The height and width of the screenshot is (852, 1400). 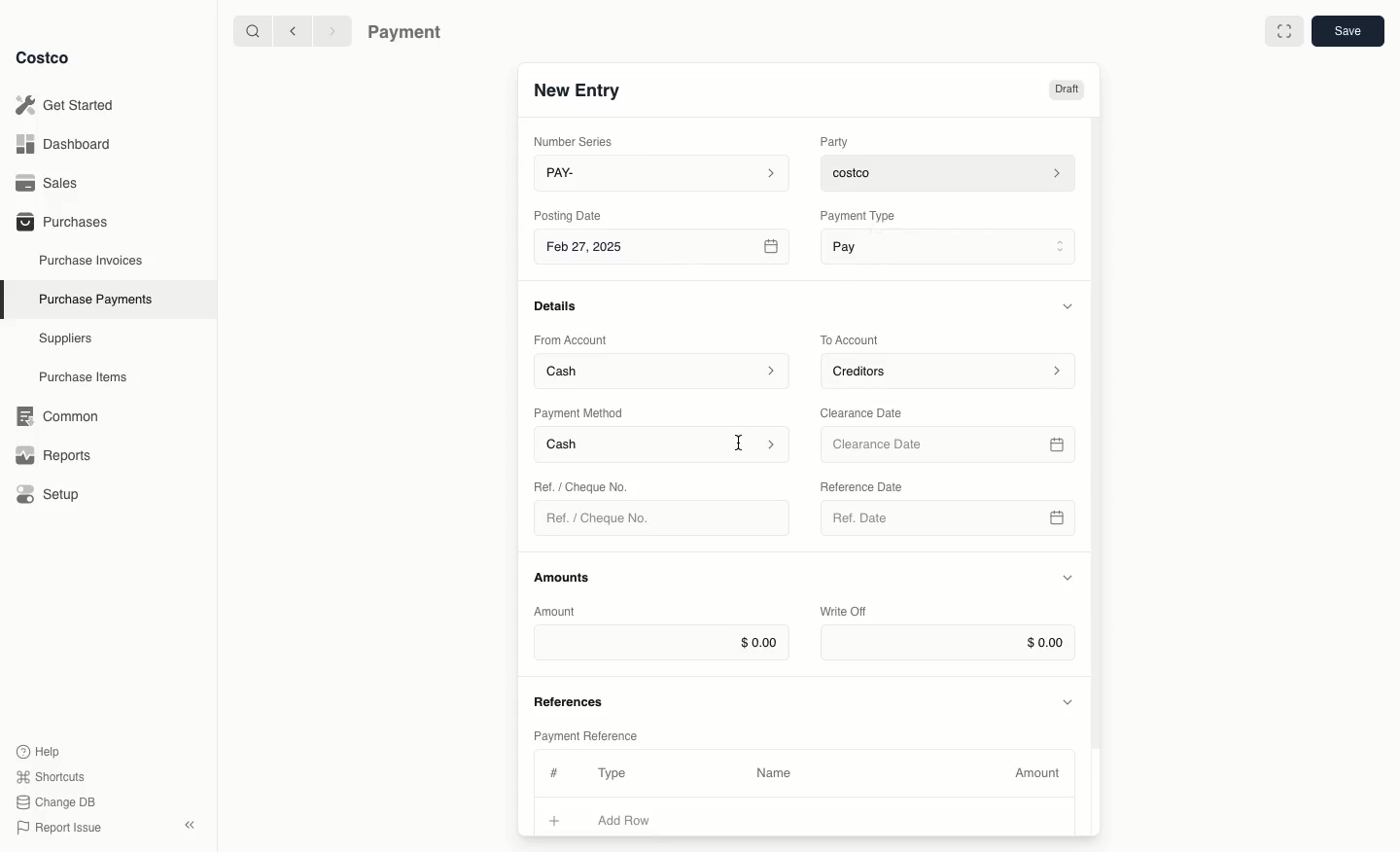 I want to click on ‘Payment Type, so click(x=857, y=215).